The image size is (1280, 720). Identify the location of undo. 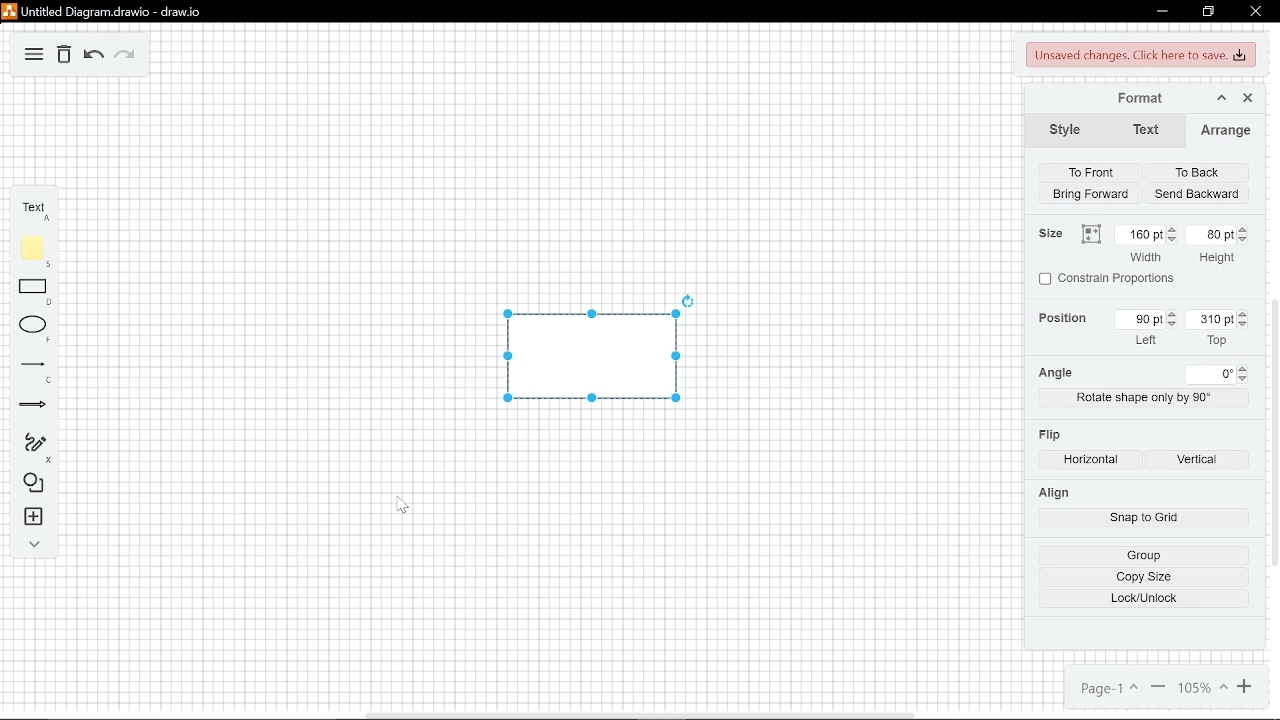
(95, 56).